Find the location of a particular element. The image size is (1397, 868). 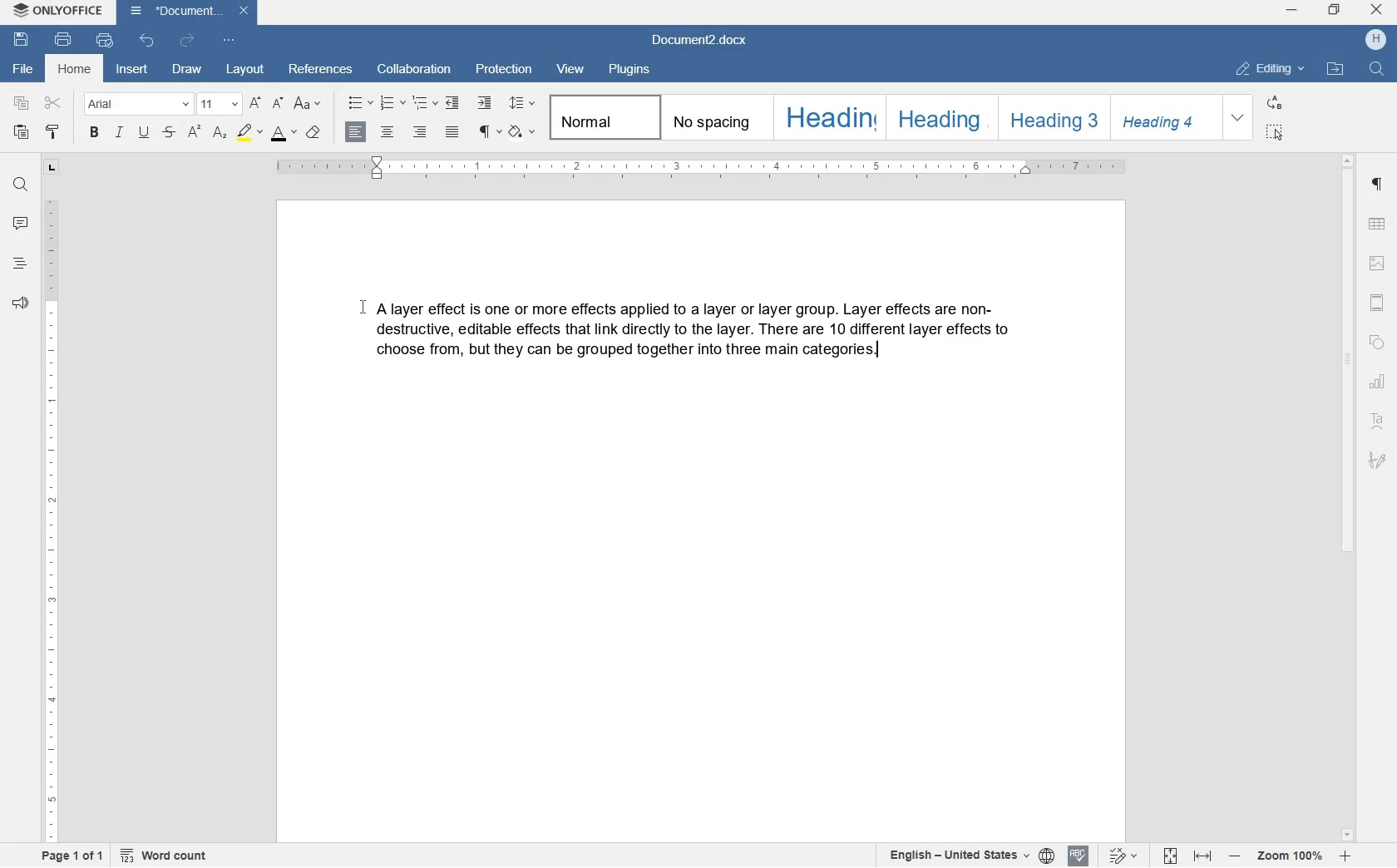

increase indent is located at coordinates (485, 104).